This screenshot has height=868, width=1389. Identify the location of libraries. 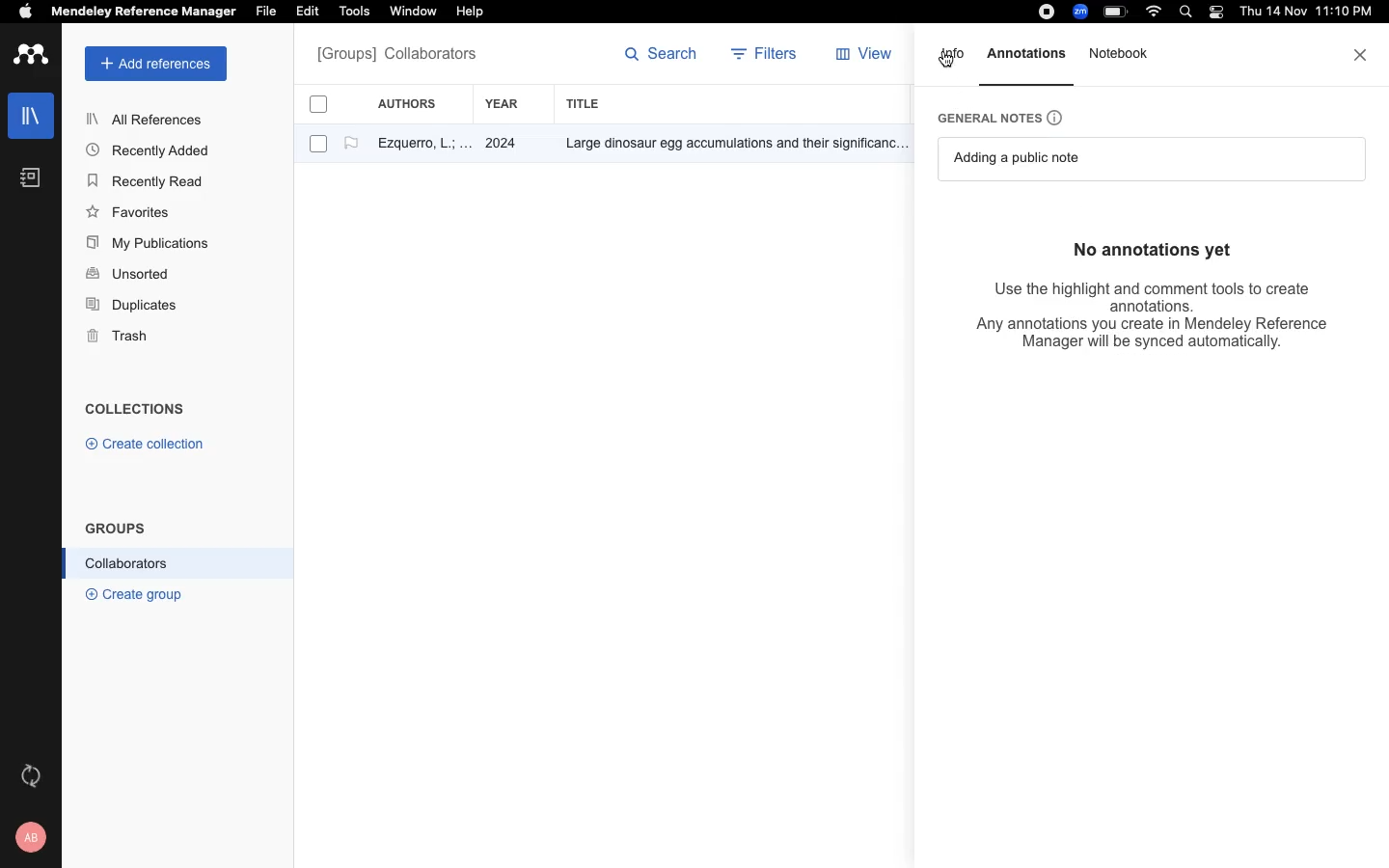
(29, 114).